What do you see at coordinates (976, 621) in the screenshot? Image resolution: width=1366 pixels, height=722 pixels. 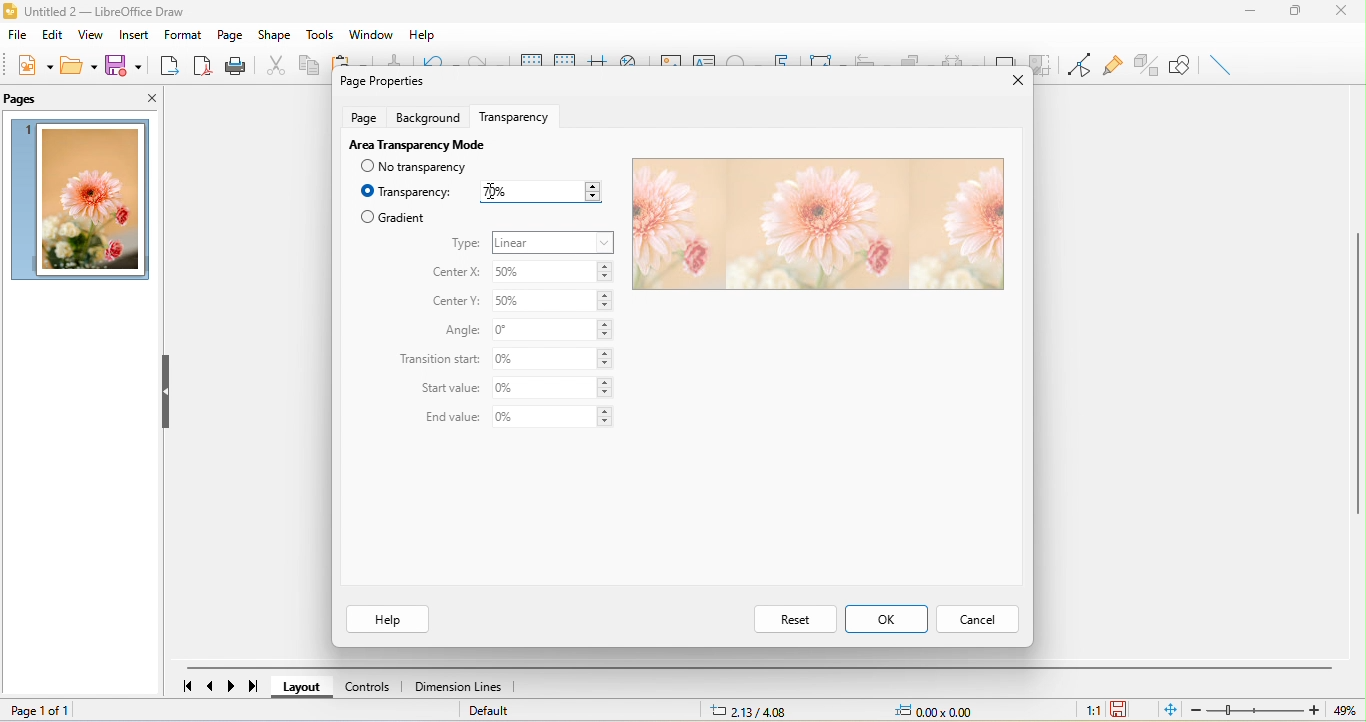 I see `cancel` at bounding box center [976, 621].